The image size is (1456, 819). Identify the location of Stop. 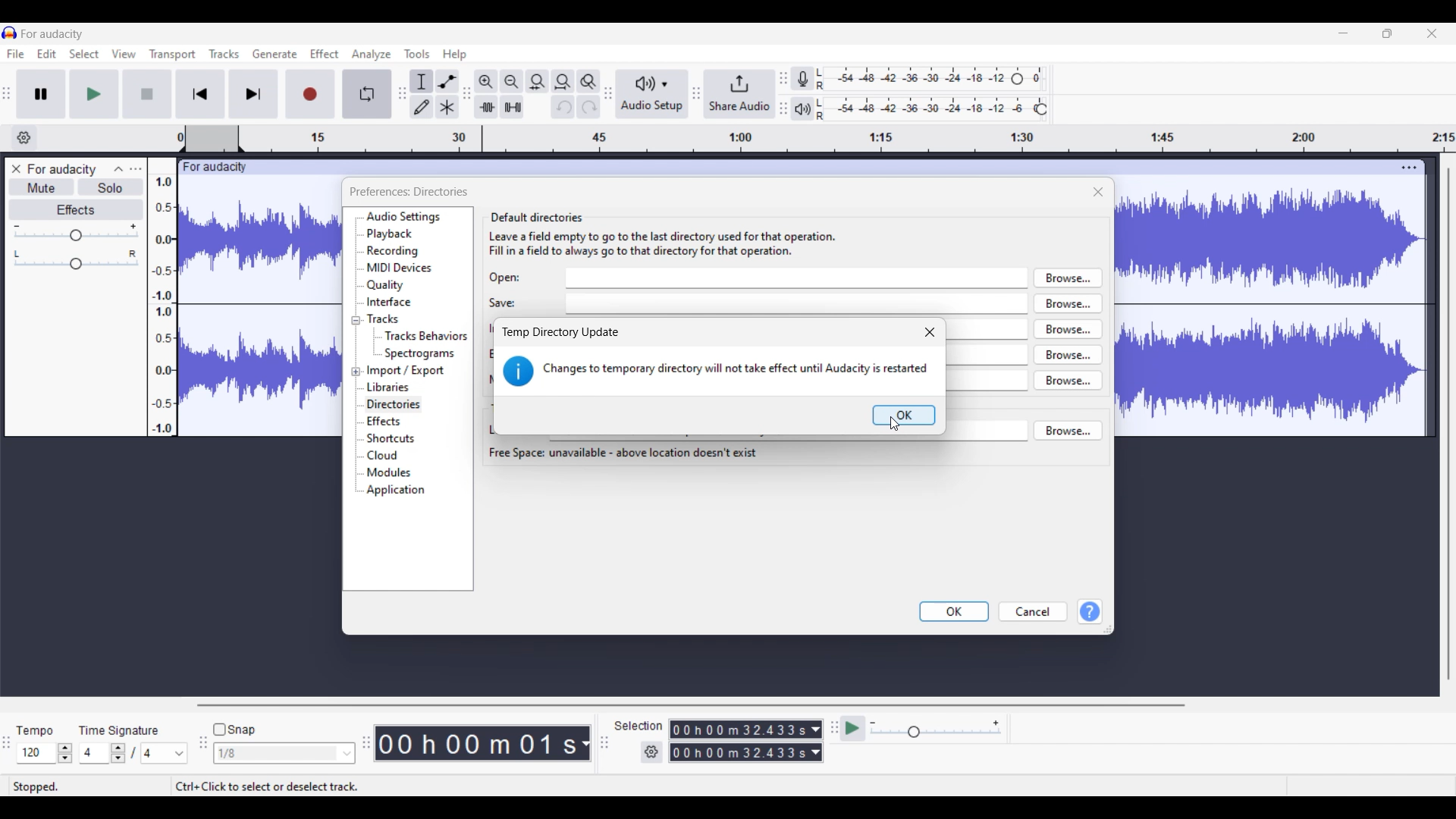
(148, 94).